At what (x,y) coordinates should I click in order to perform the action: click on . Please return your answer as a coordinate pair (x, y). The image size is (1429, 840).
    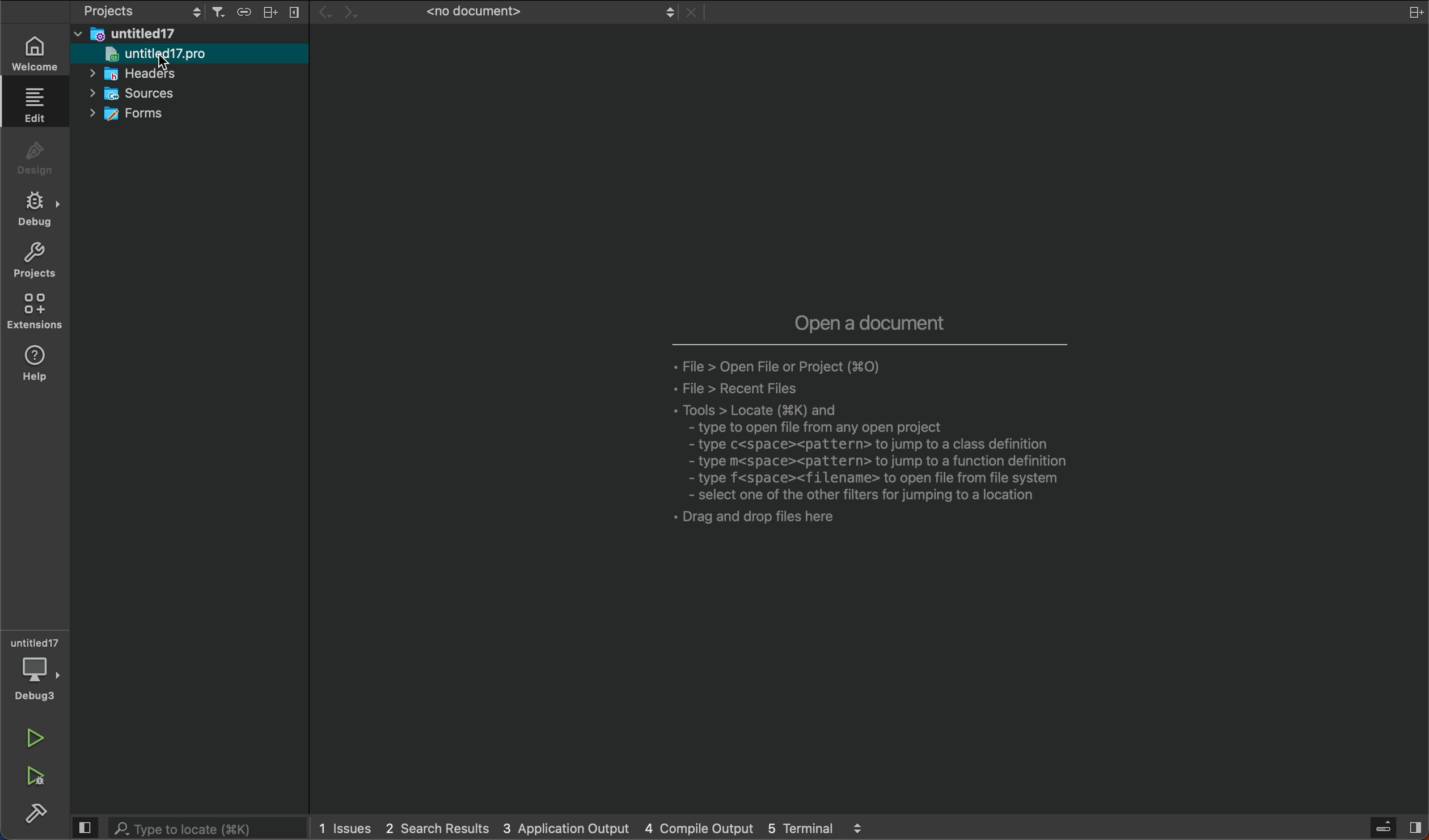
    Looking at the image, I should click on (246, 12).